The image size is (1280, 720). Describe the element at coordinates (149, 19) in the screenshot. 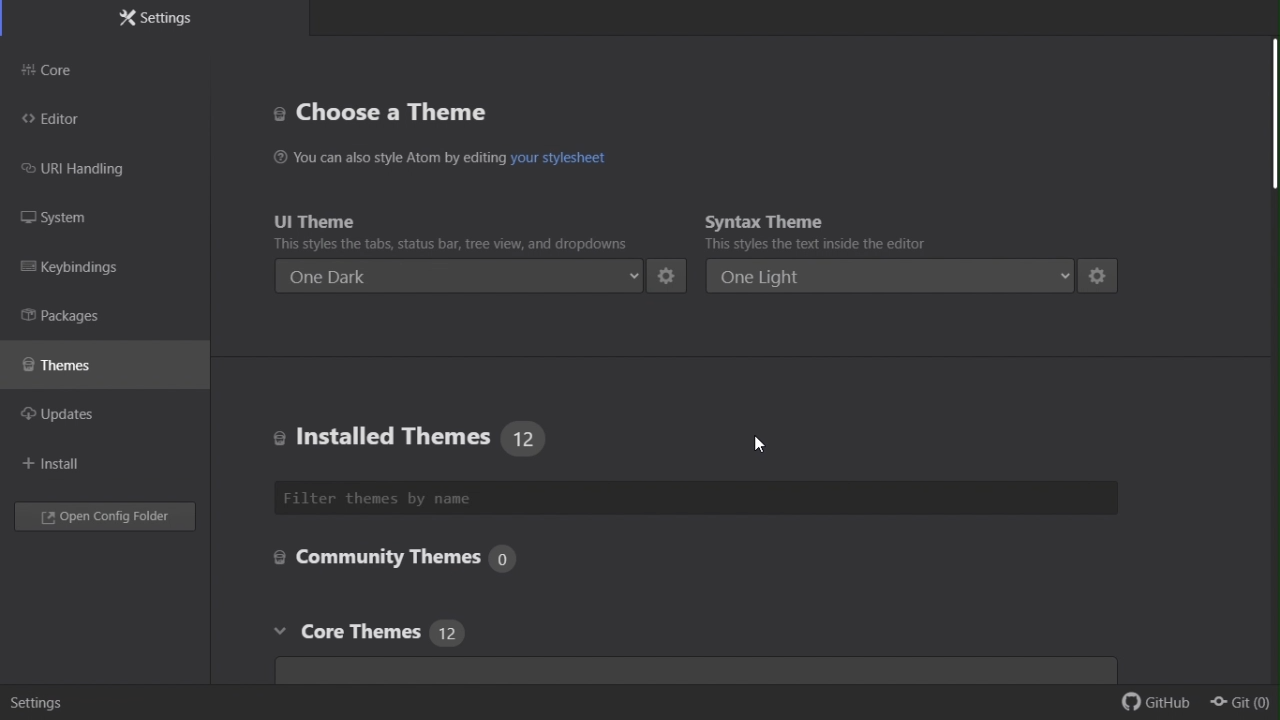

I see `Settings` at that location.